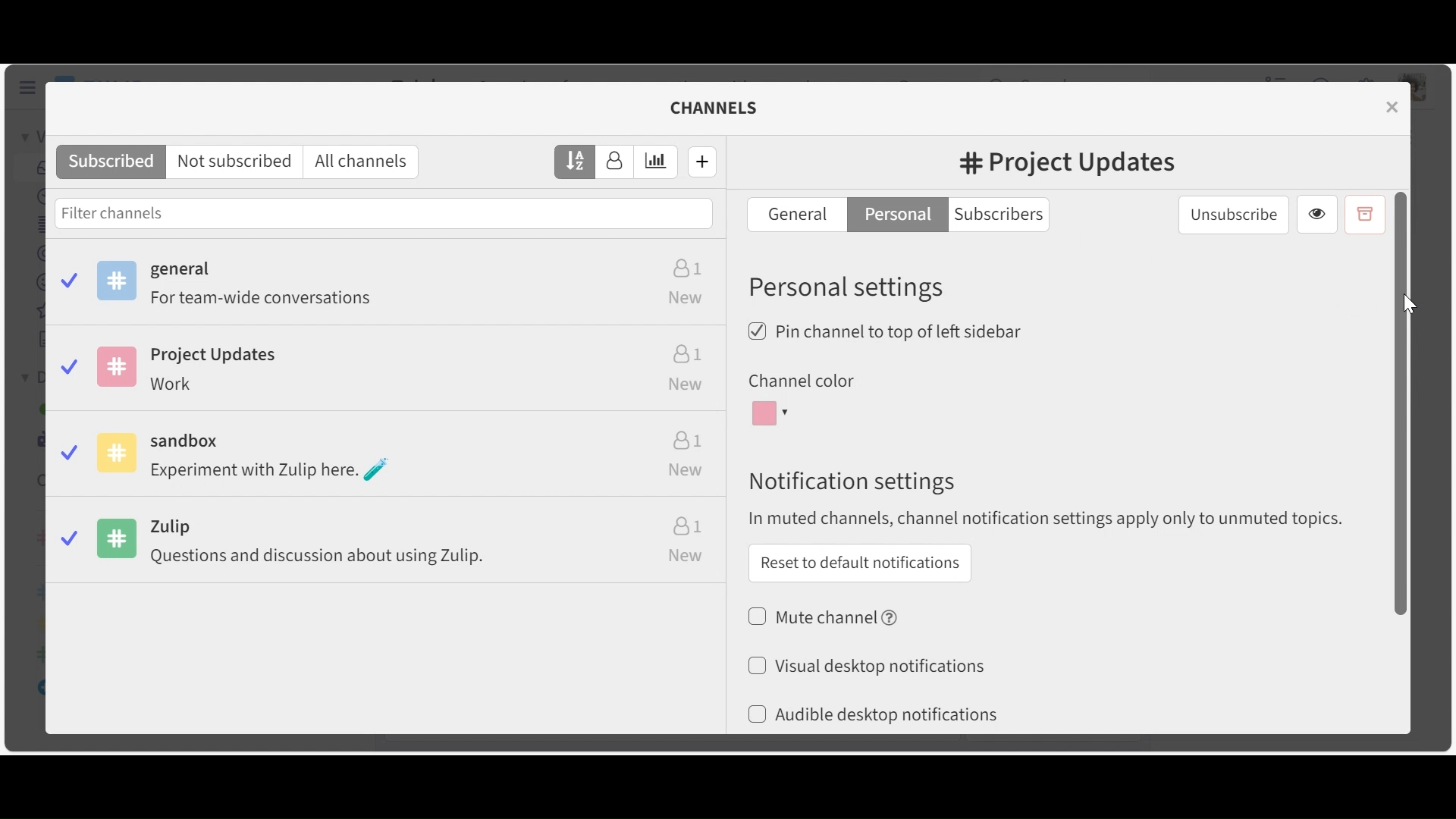  Describe the element at coordinates (1409, 304) in the screenshot. I see `Cursor` at that location.